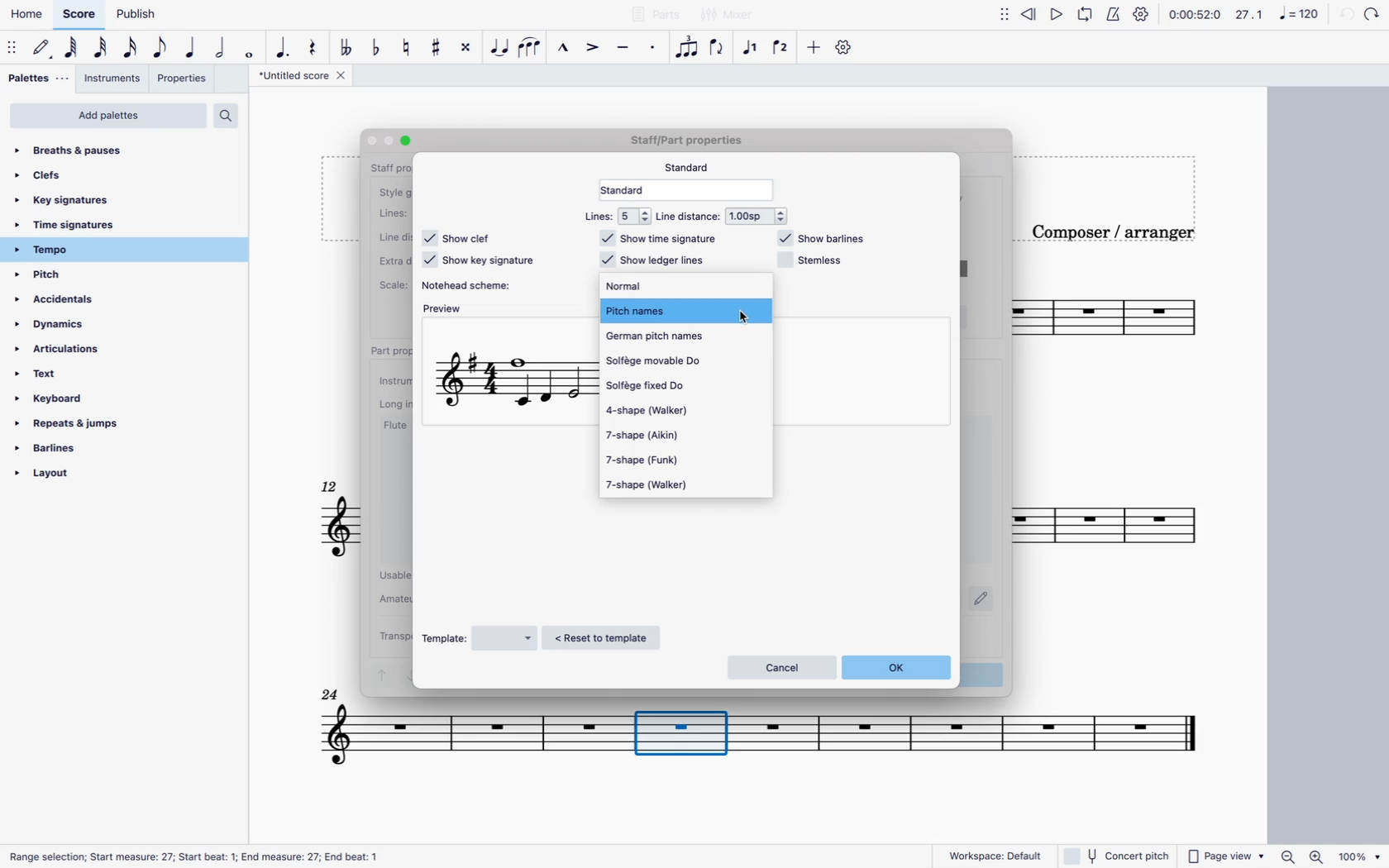 The height and width of the screenshot is (868, 1389). I want to click on add palettes, so click(109, 117).